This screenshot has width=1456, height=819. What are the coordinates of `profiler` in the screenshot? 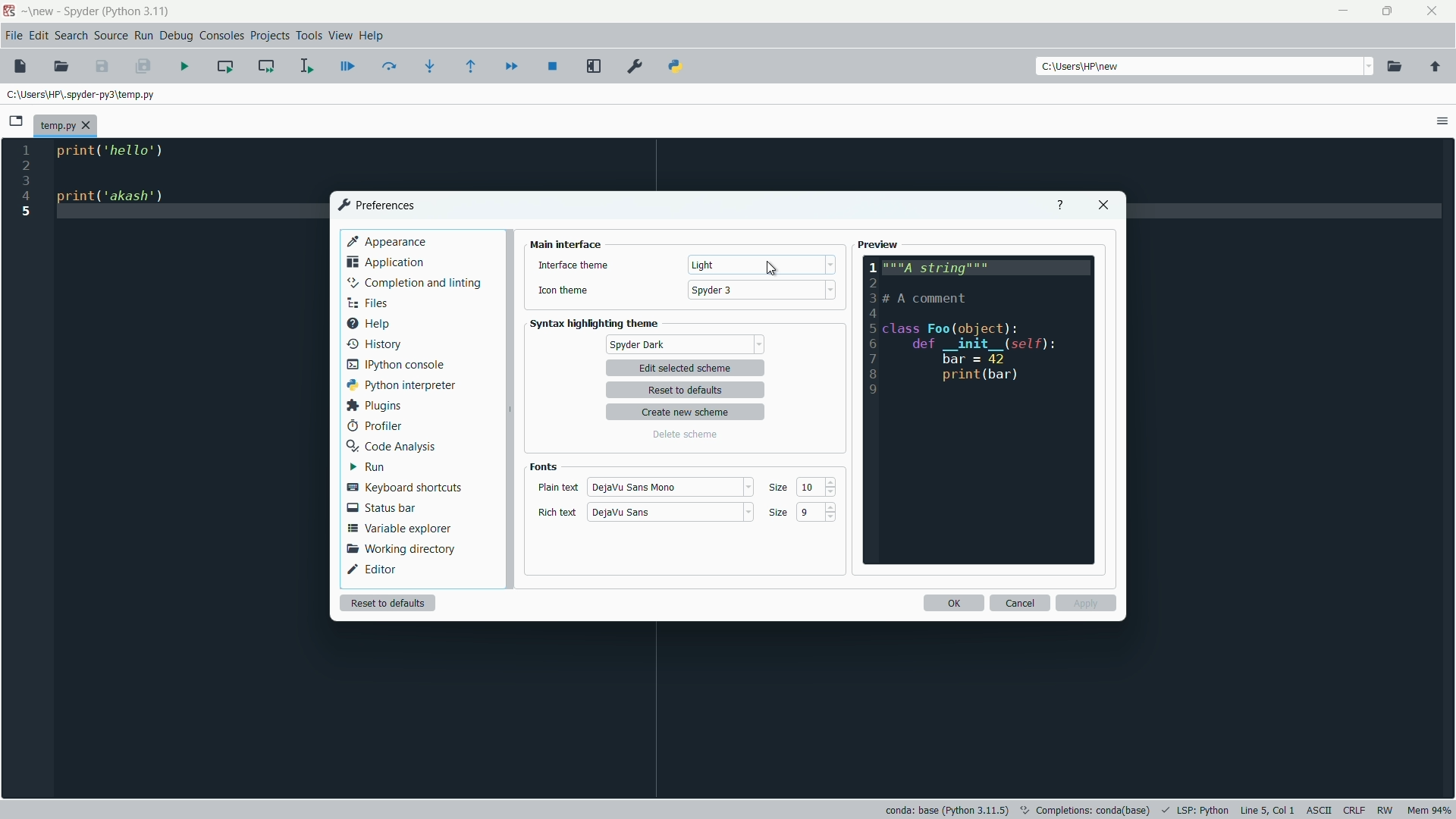 It's located at (373, 426).